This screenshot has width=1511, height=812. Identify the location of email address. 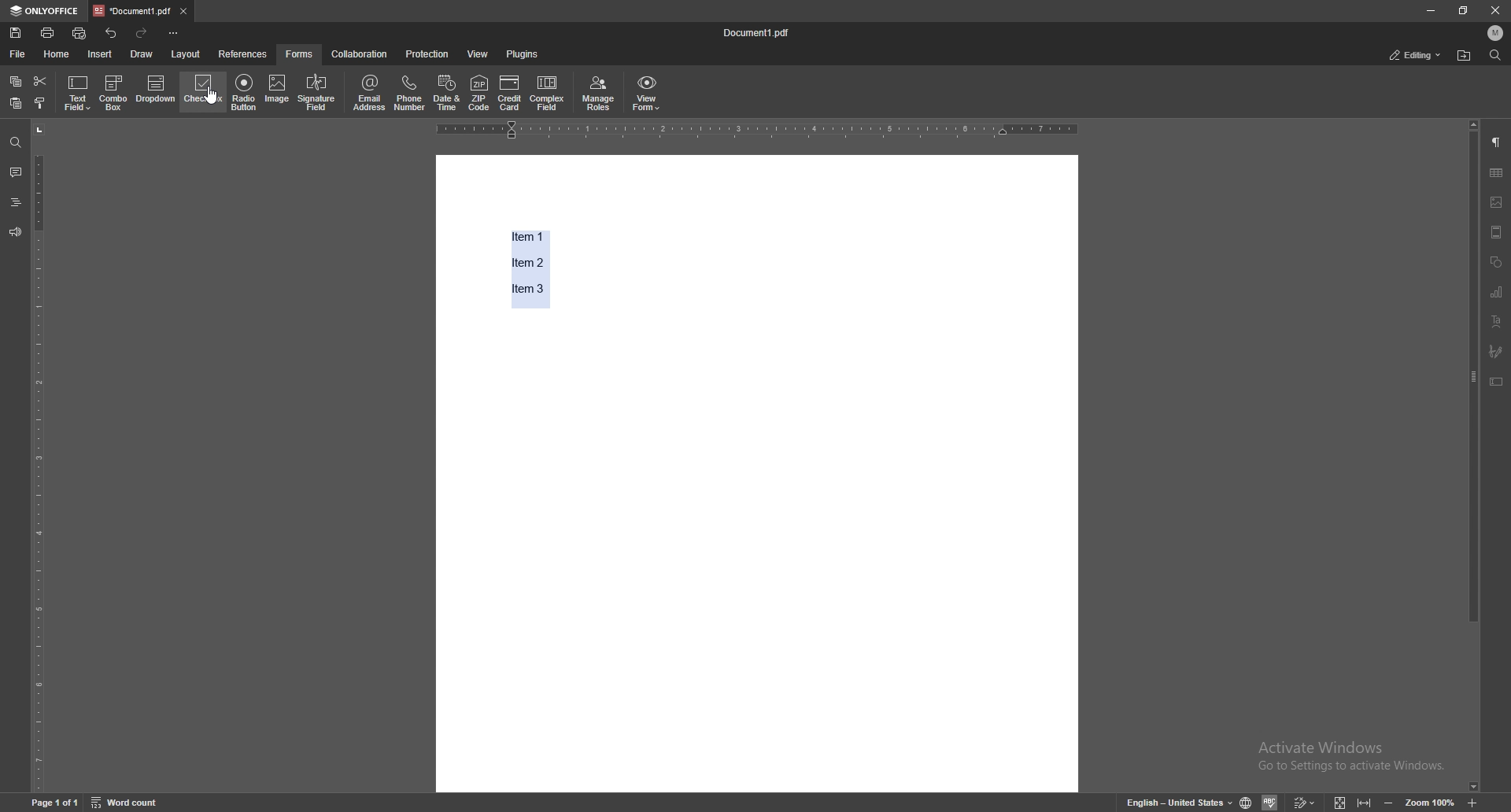
(370, 93).